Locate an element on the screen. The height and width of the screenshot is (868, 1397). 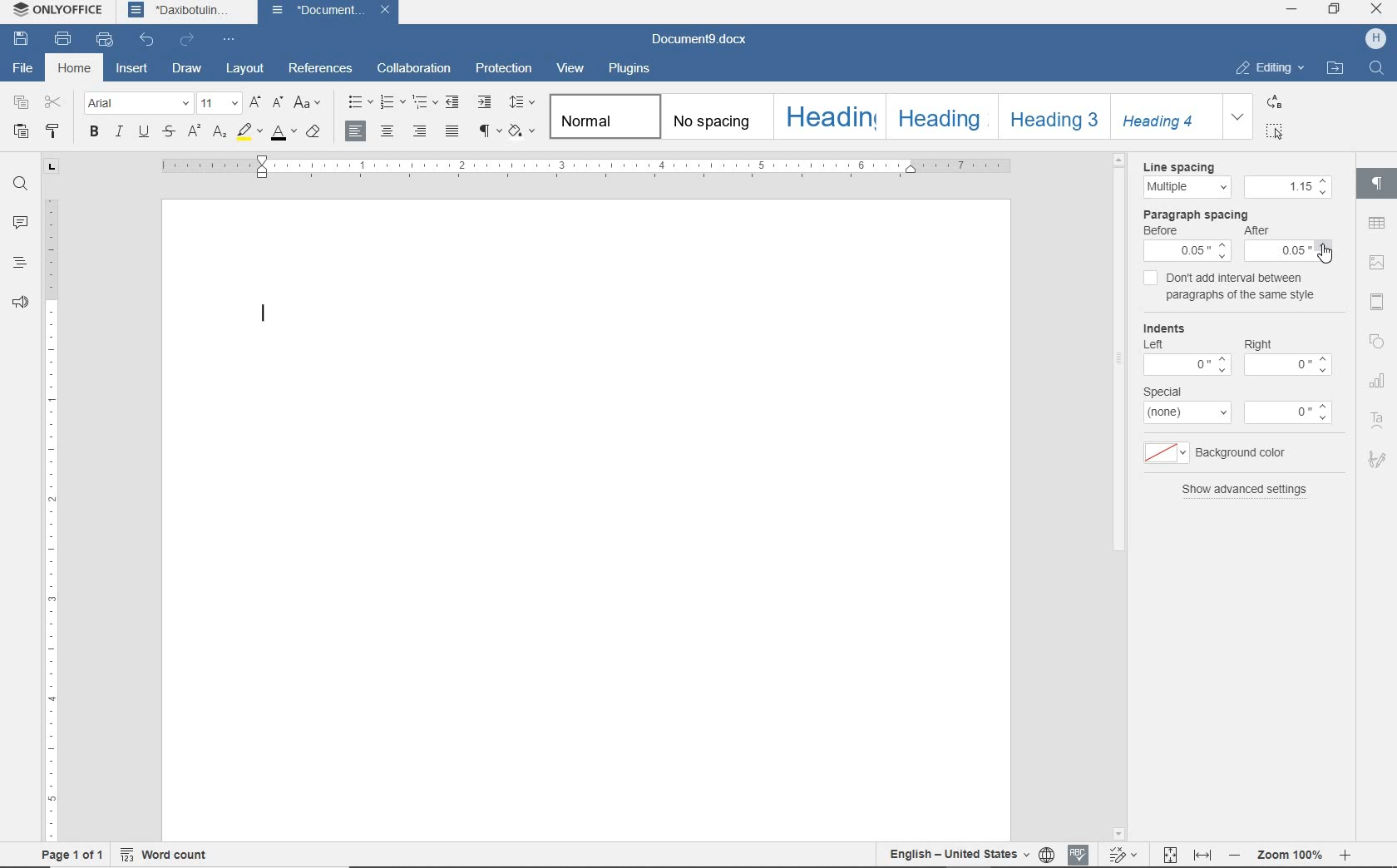
comments is located at coordinates (21, 223).